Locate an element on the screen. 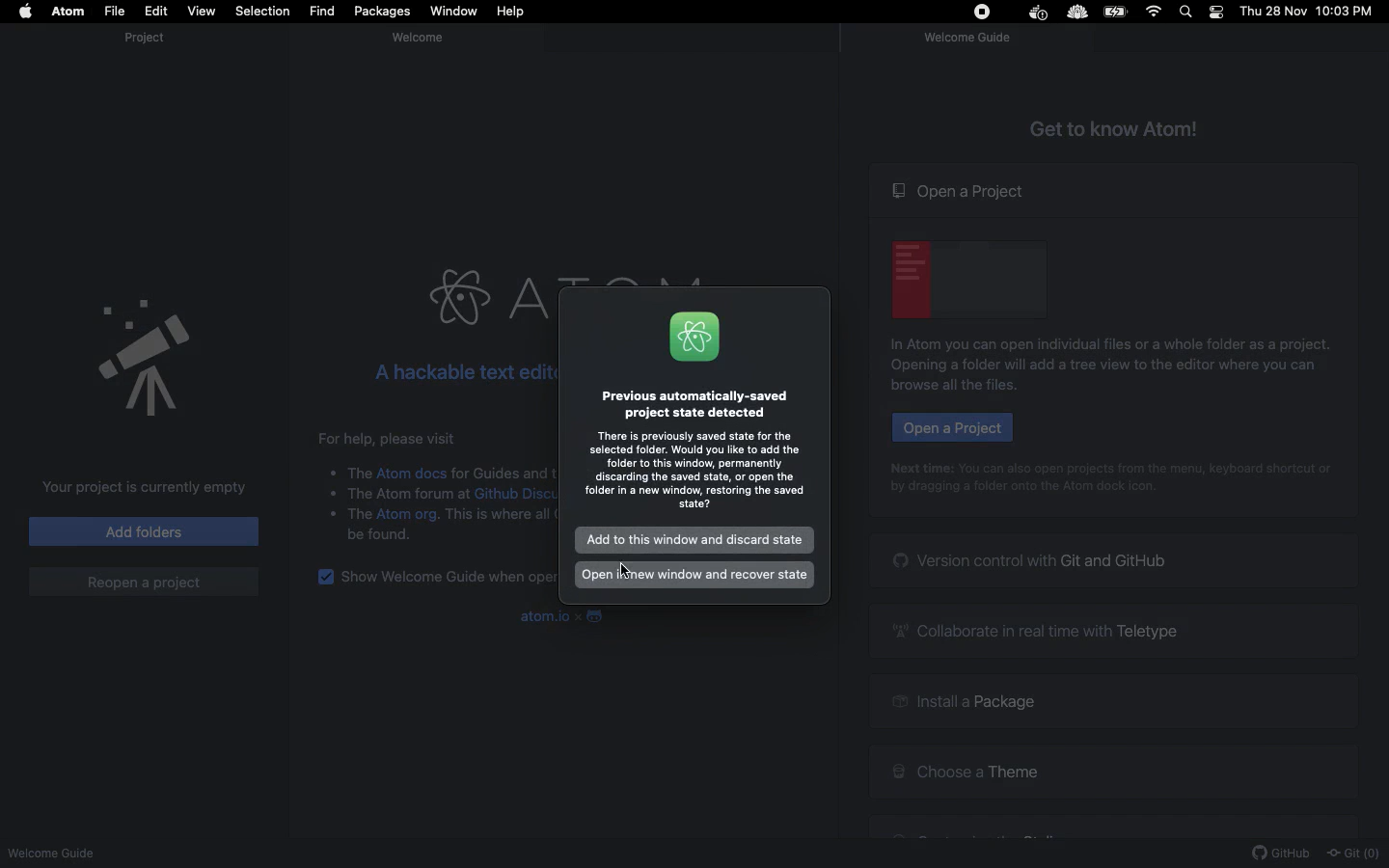 The image size is (1389, 868). Bullet point is located at coordinates (322, 503).